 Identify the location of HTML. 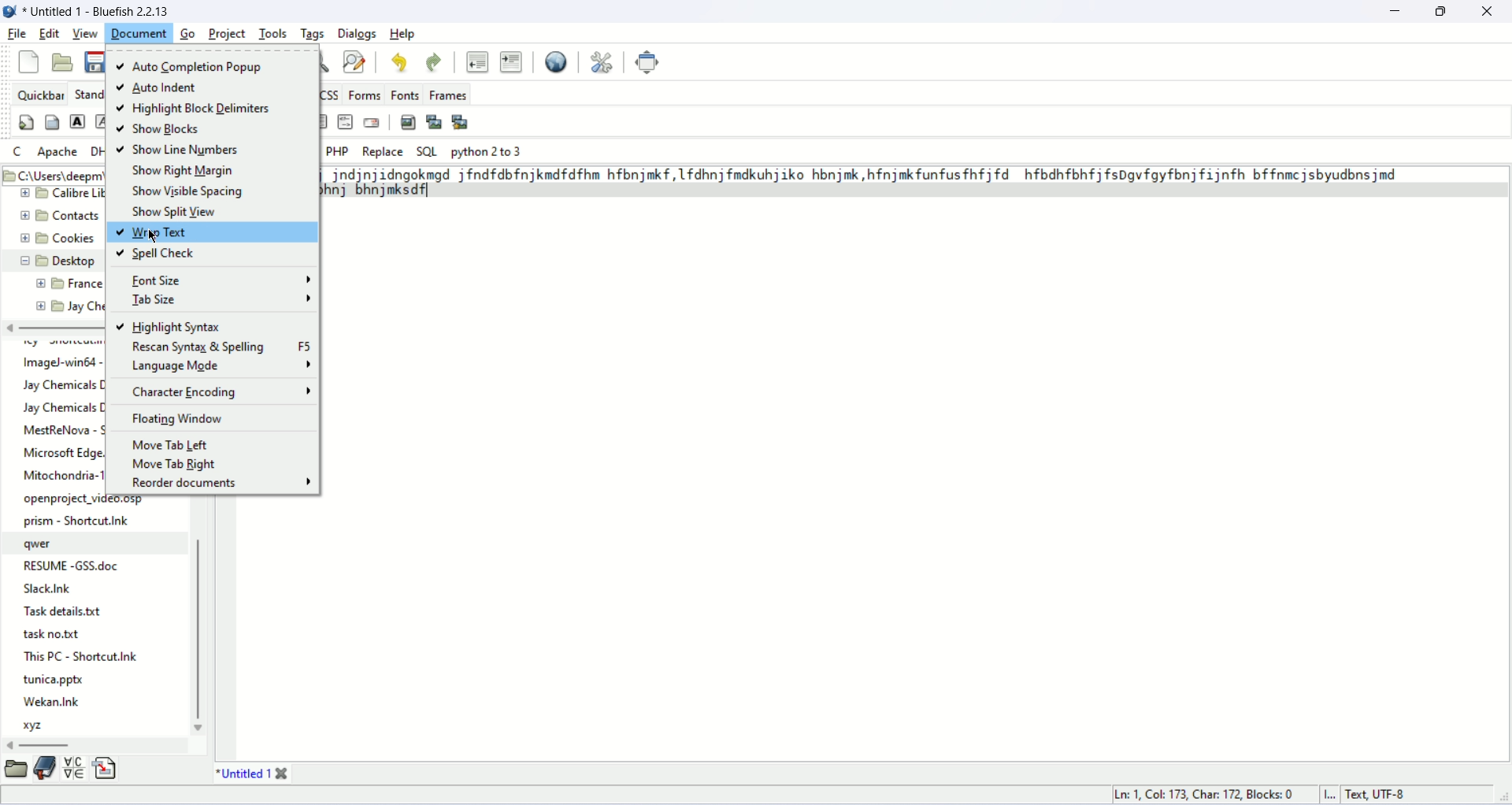
(346, 123).